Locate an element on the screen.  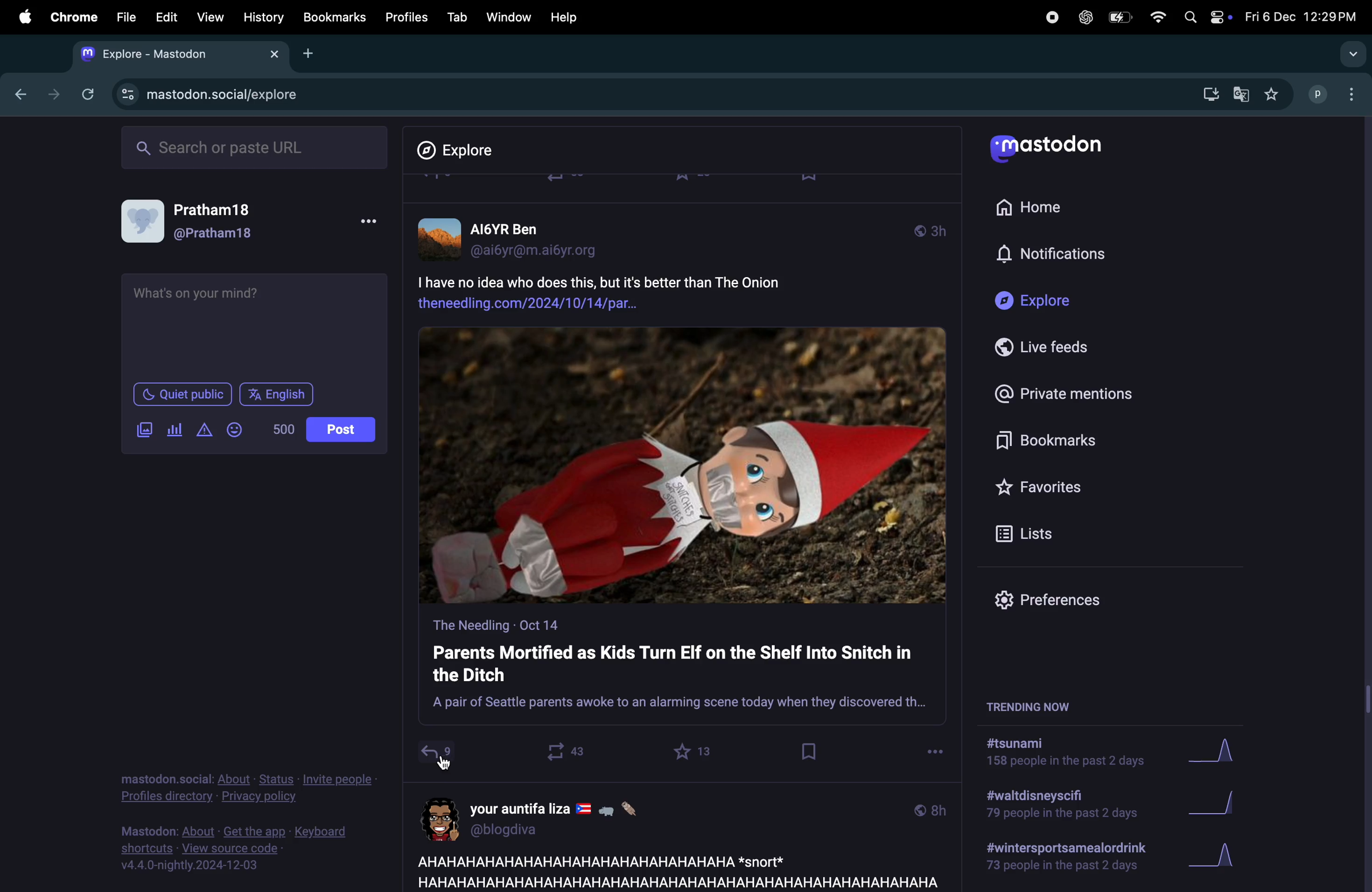
add alert is located at coordinates (201, 430).